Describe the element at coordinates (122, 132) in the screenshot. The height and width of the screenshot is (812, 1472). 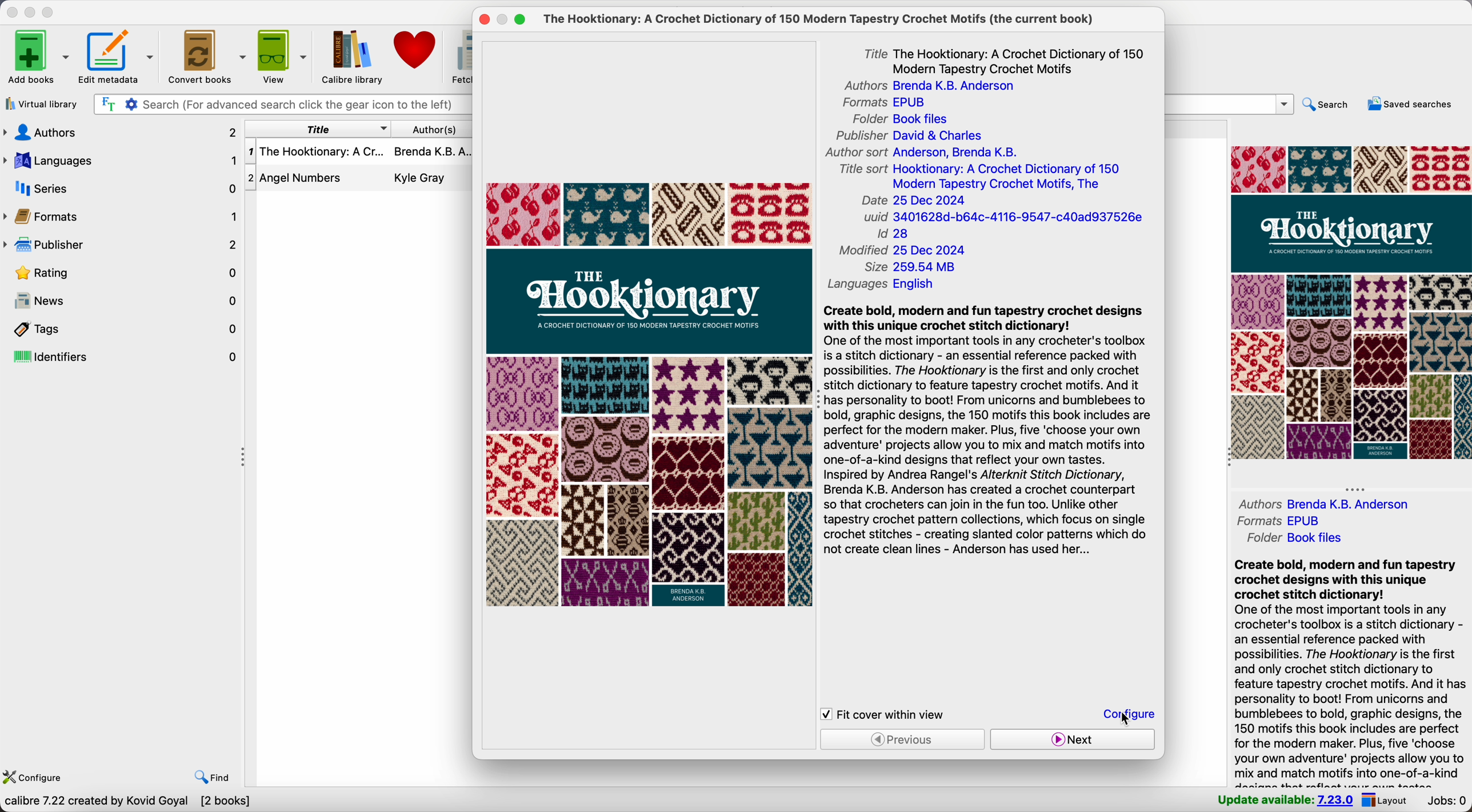
I see `authors` at that location.